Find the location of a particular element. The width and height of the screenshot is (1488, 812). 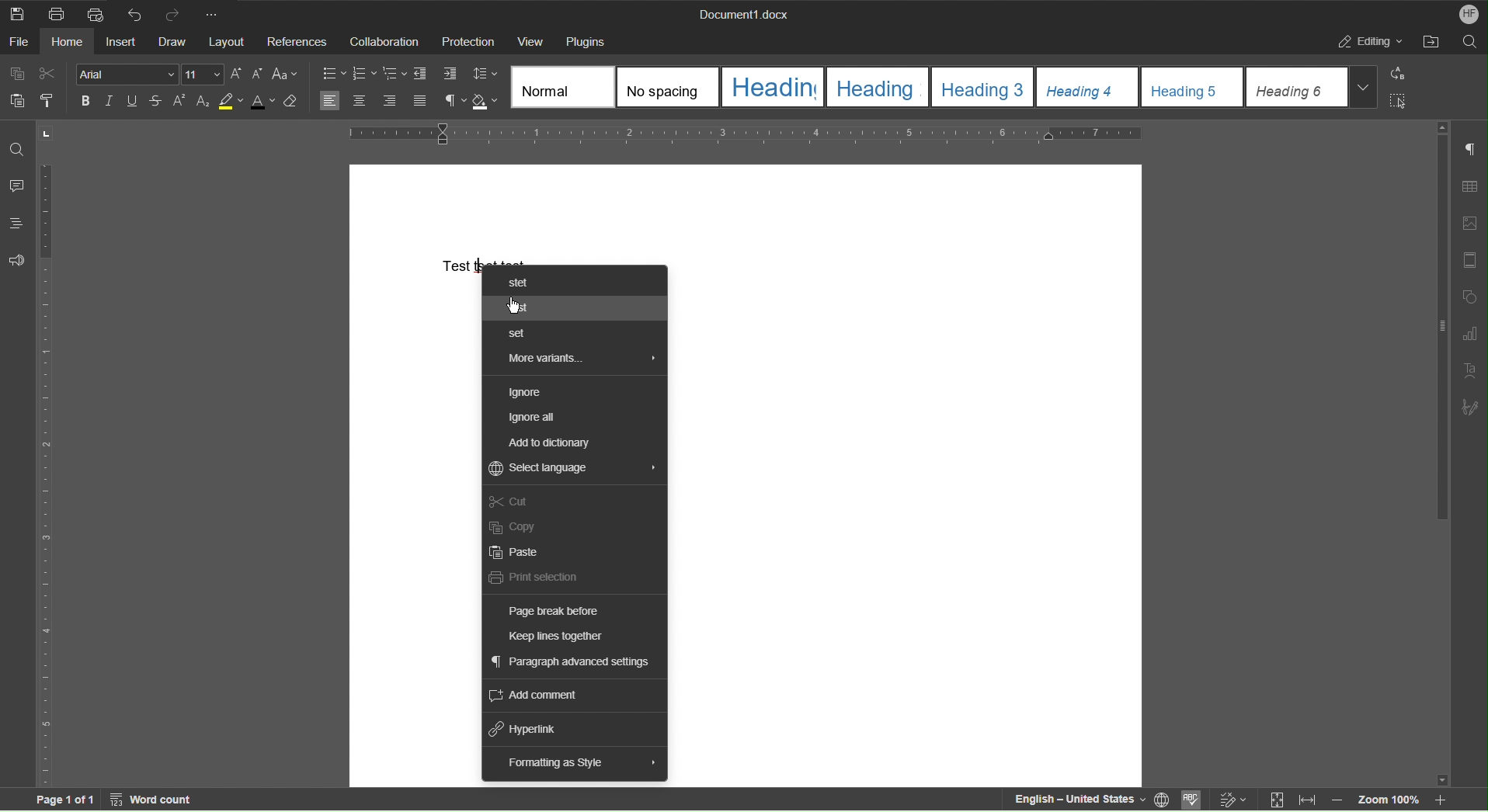

Spellcheck is located at coordinates (1194, 801).